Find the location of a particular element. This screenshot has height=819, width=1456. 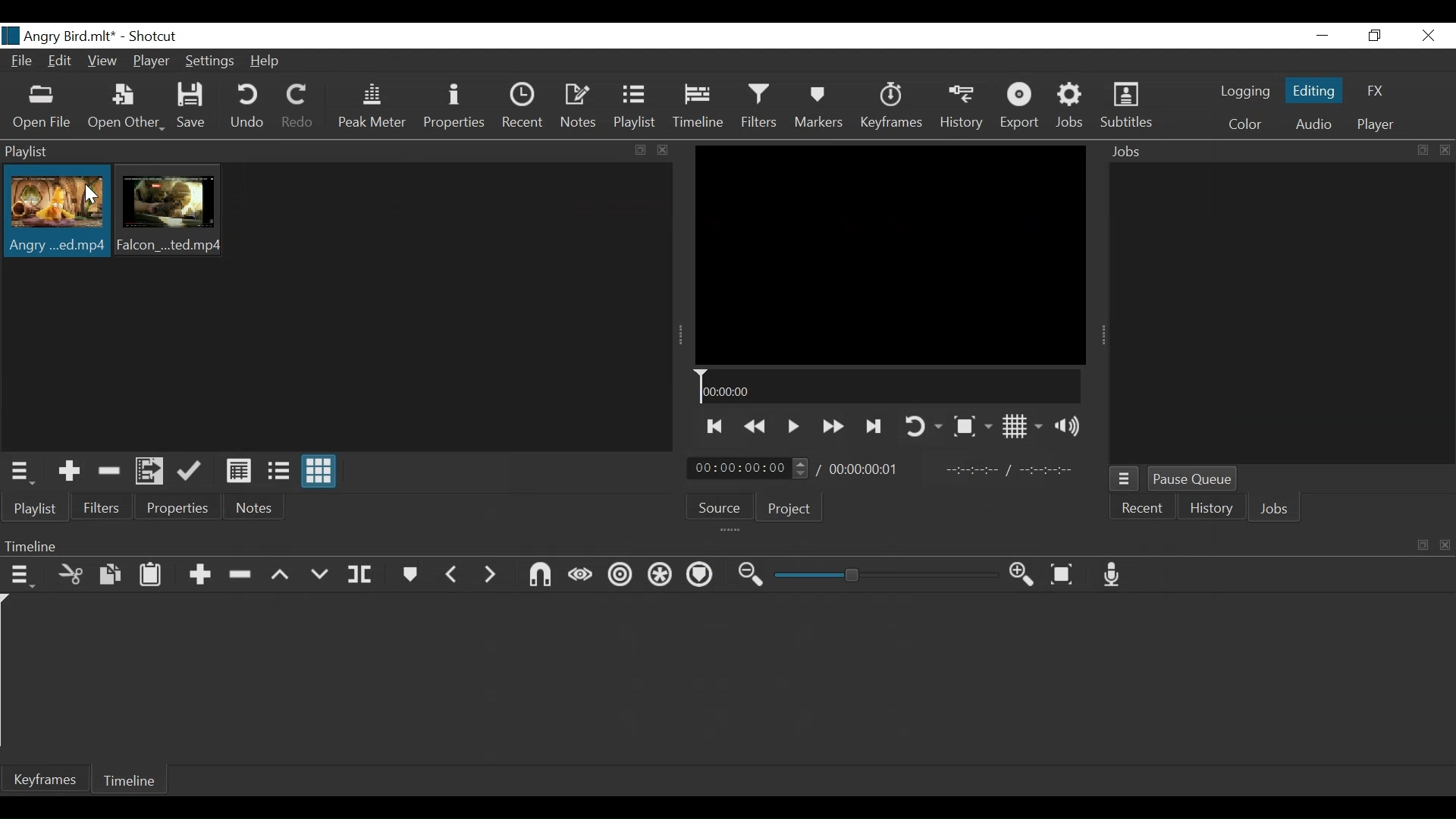

Filters is located at coordinates (762, 108).